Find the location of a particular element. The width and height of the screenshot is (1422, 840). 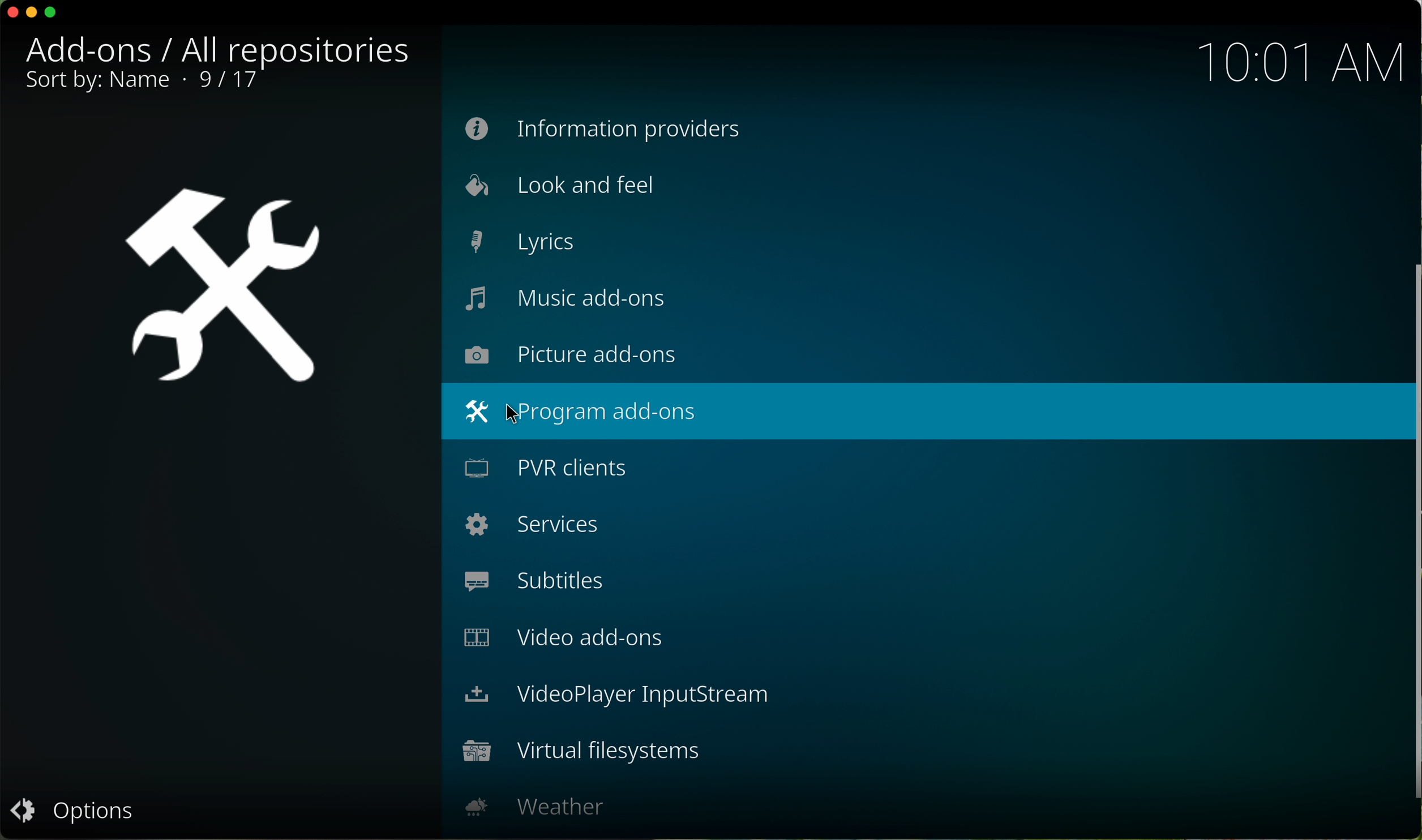

weather is located at coordinates (532, 803).